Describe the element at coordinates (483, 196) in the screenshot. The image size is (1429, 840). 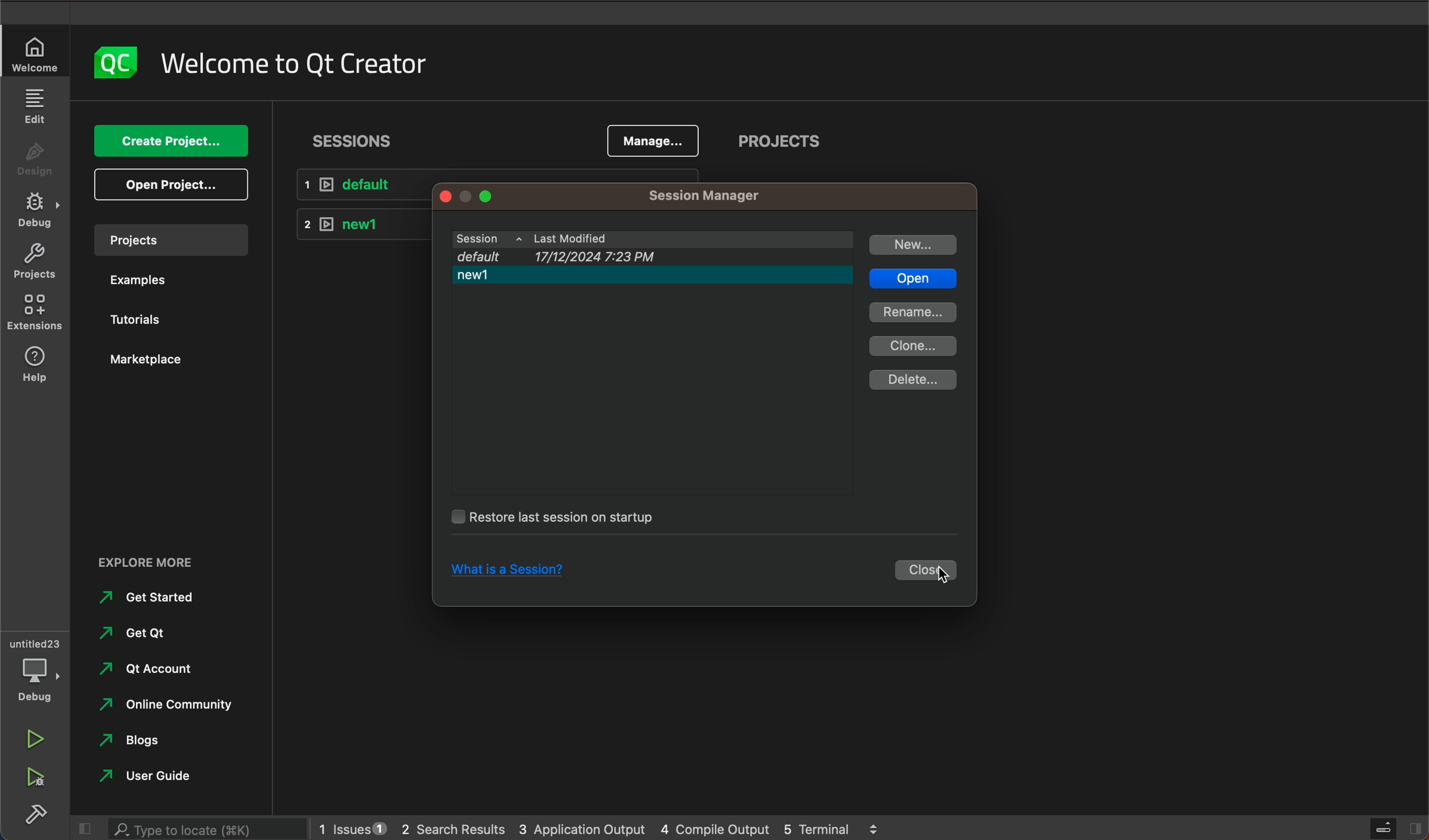
I see `window controls` at that location.